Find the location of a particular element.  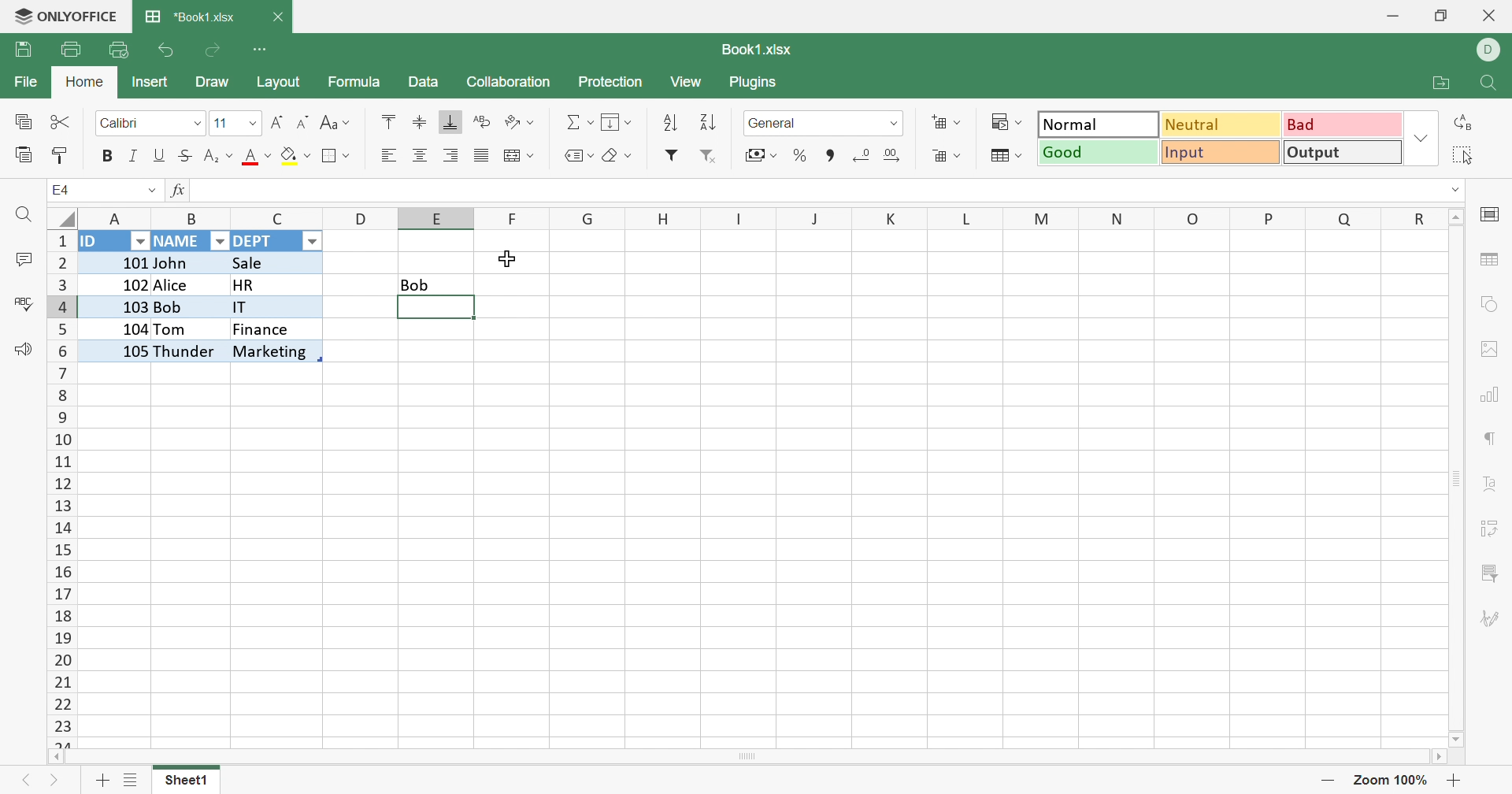

Previous is located at coordinates (31, 784).